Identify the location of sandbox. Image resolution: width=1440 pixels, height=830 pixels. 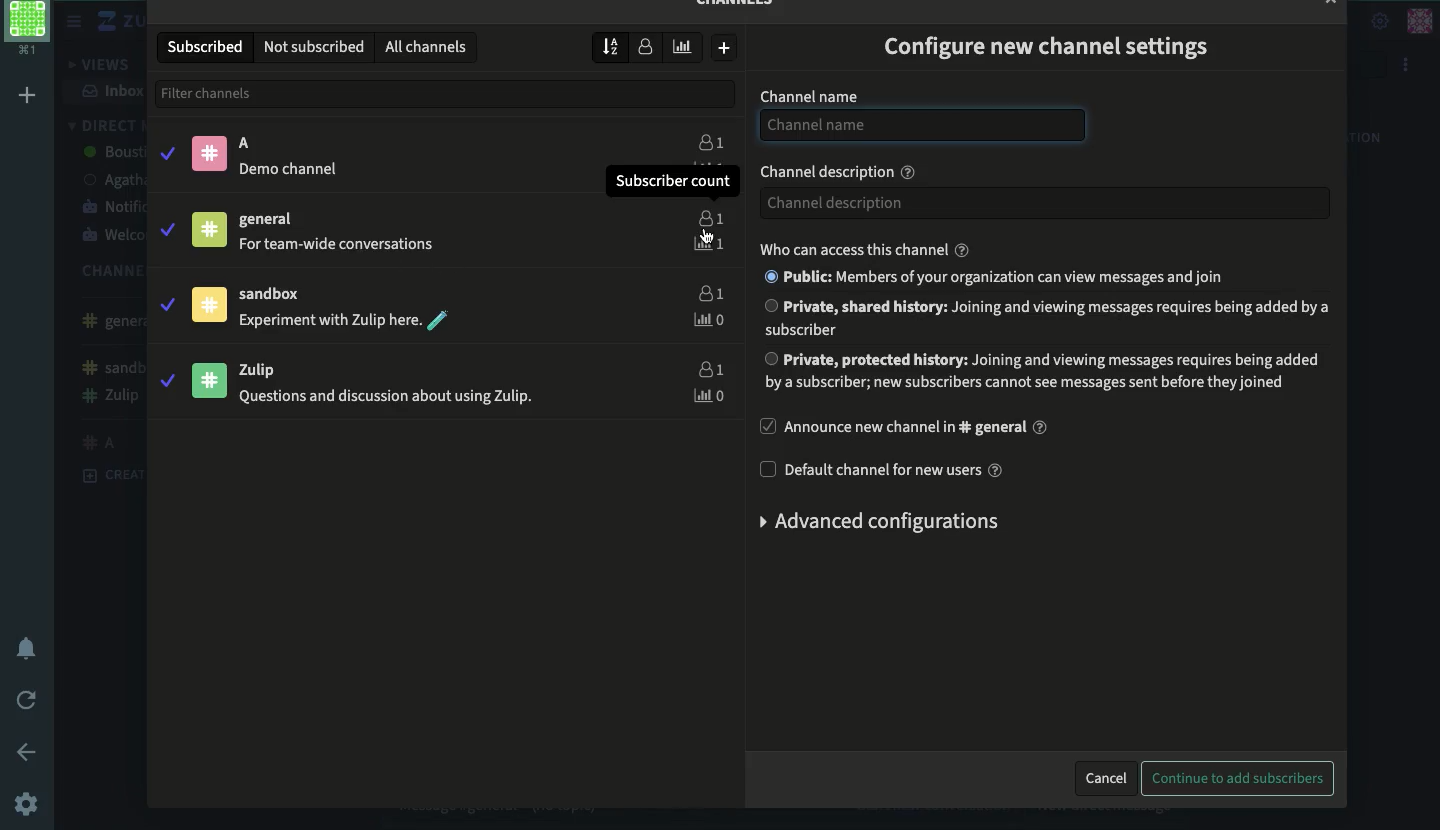
(278, 294).